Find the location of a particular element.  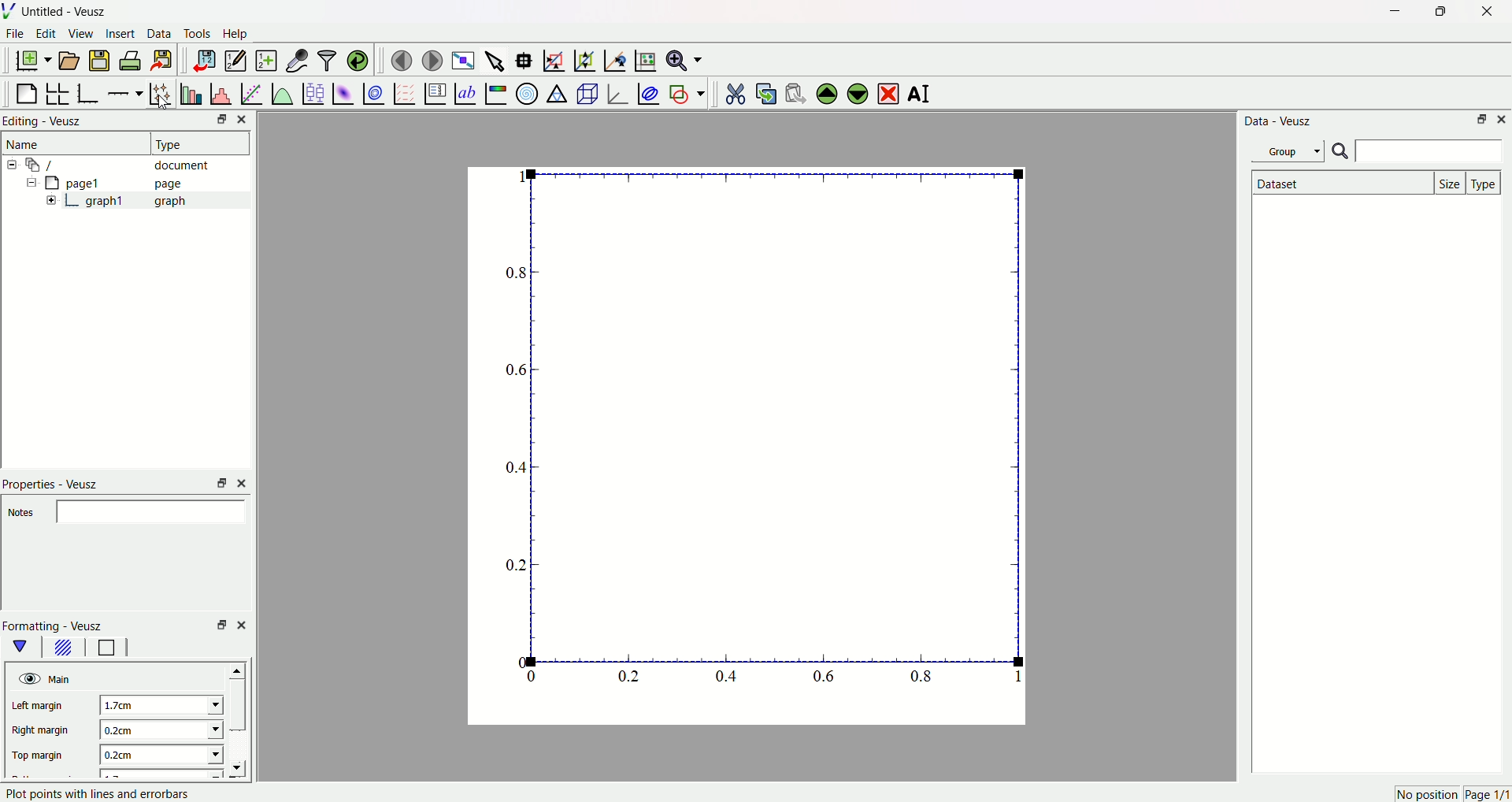

cut the widgets is located at coordinates (735, 91).